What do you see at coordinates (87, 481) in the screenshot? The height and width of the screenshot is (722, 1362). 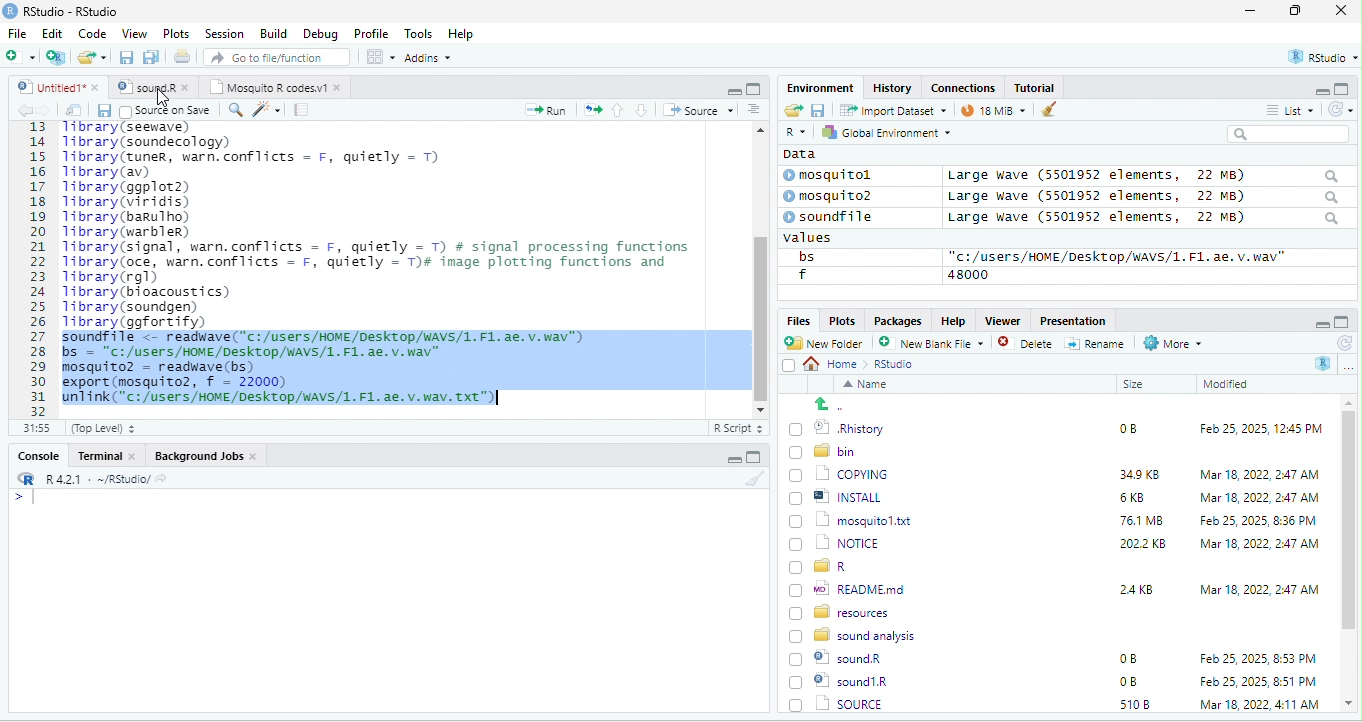 I see `RR R421 - ~/RStudio/` at bounding box center [87, 481].